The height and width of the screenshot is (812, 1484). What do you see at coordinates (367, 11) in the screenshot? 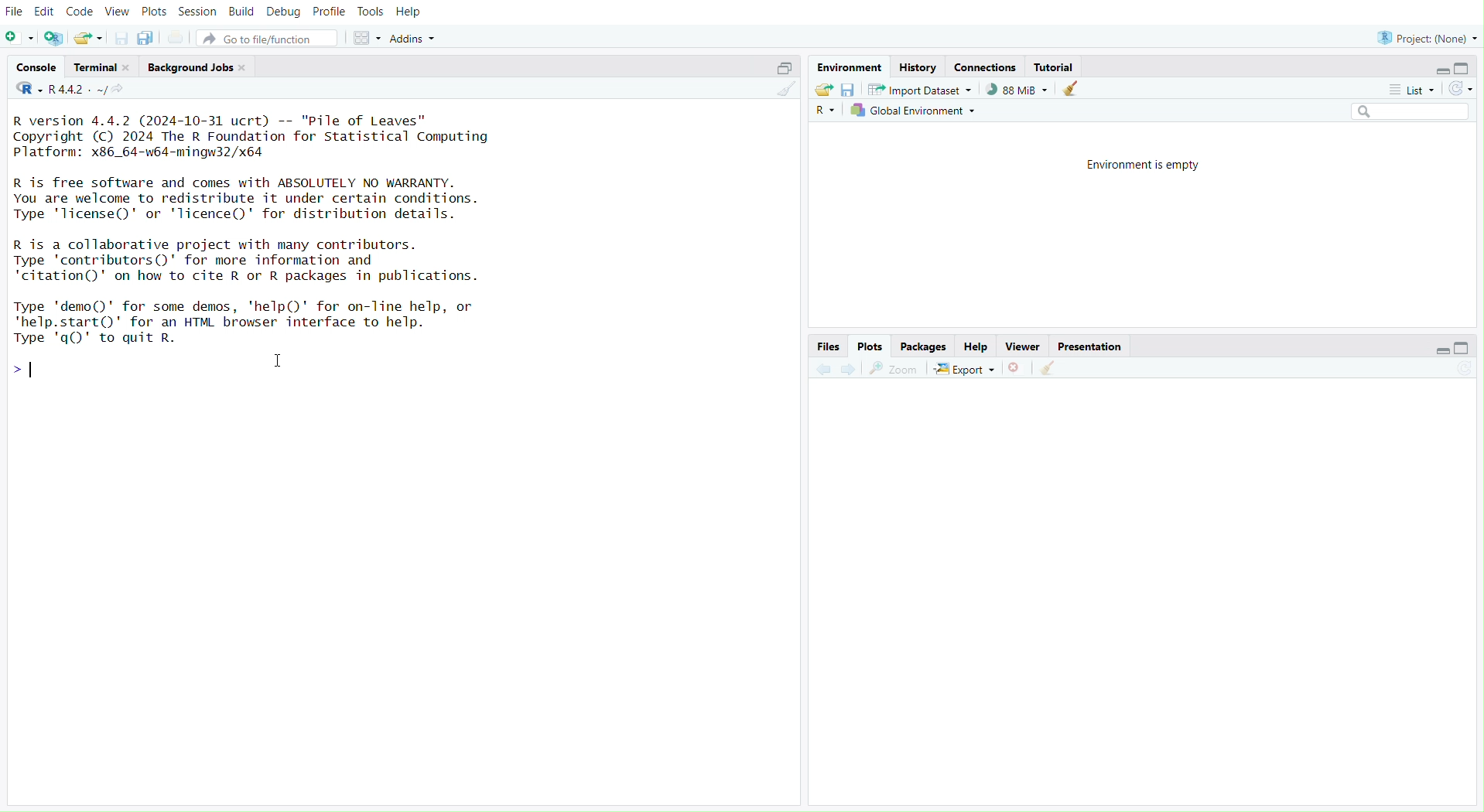
I see `Tools` at bounding box center [367, 11].